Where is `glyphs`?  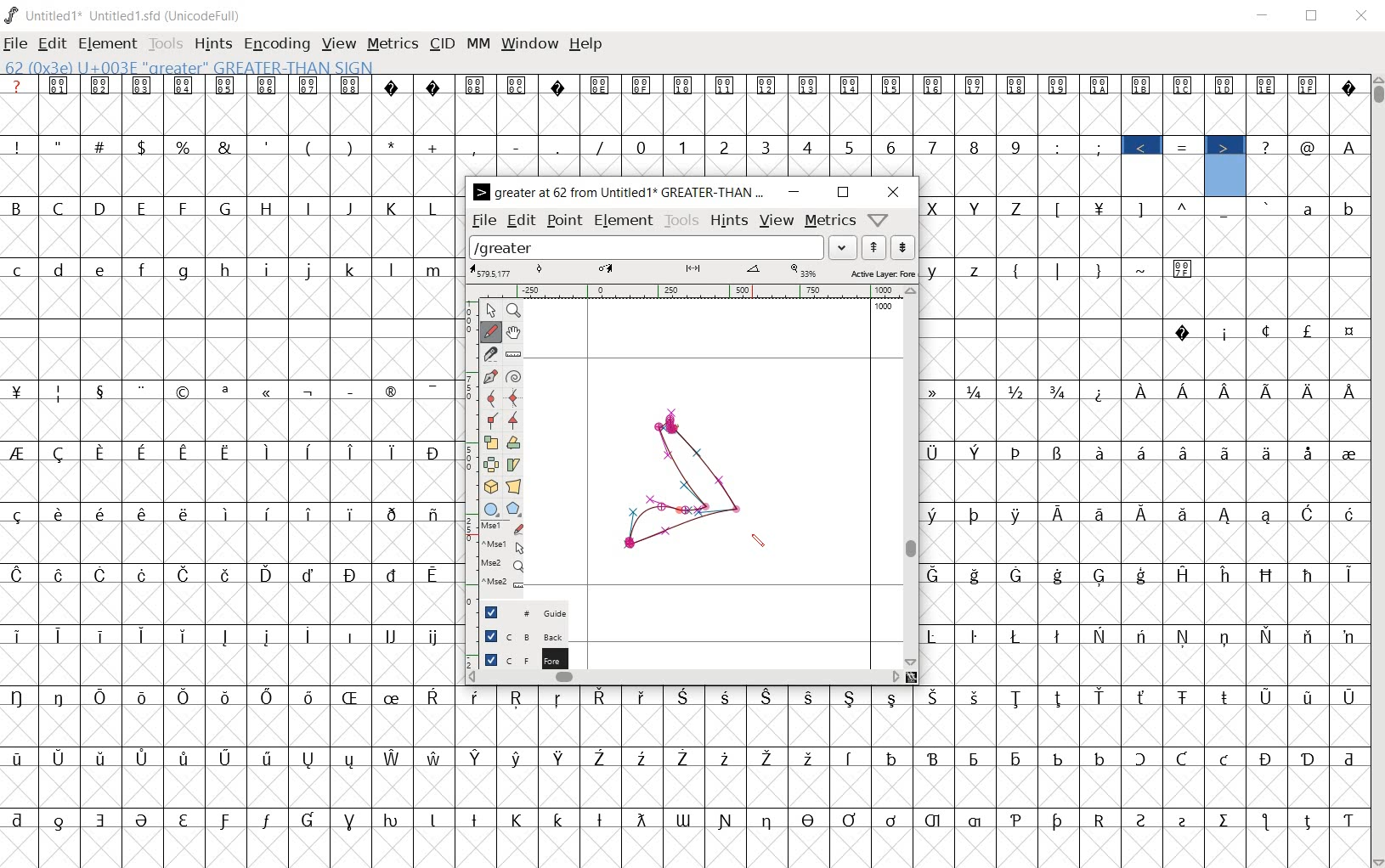
glyphs is located at coordinates (227, 465).